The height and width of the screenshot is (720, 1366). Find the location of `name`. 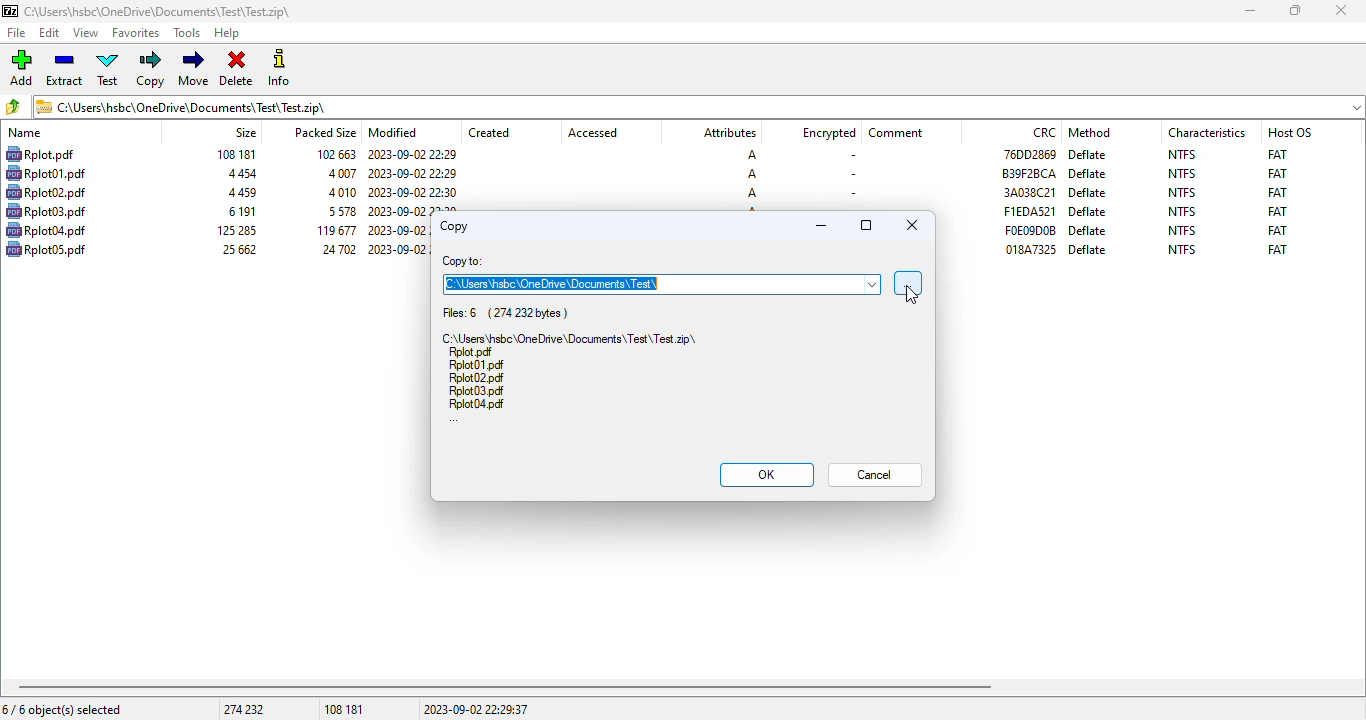

name is located at coordinates (25, 133).